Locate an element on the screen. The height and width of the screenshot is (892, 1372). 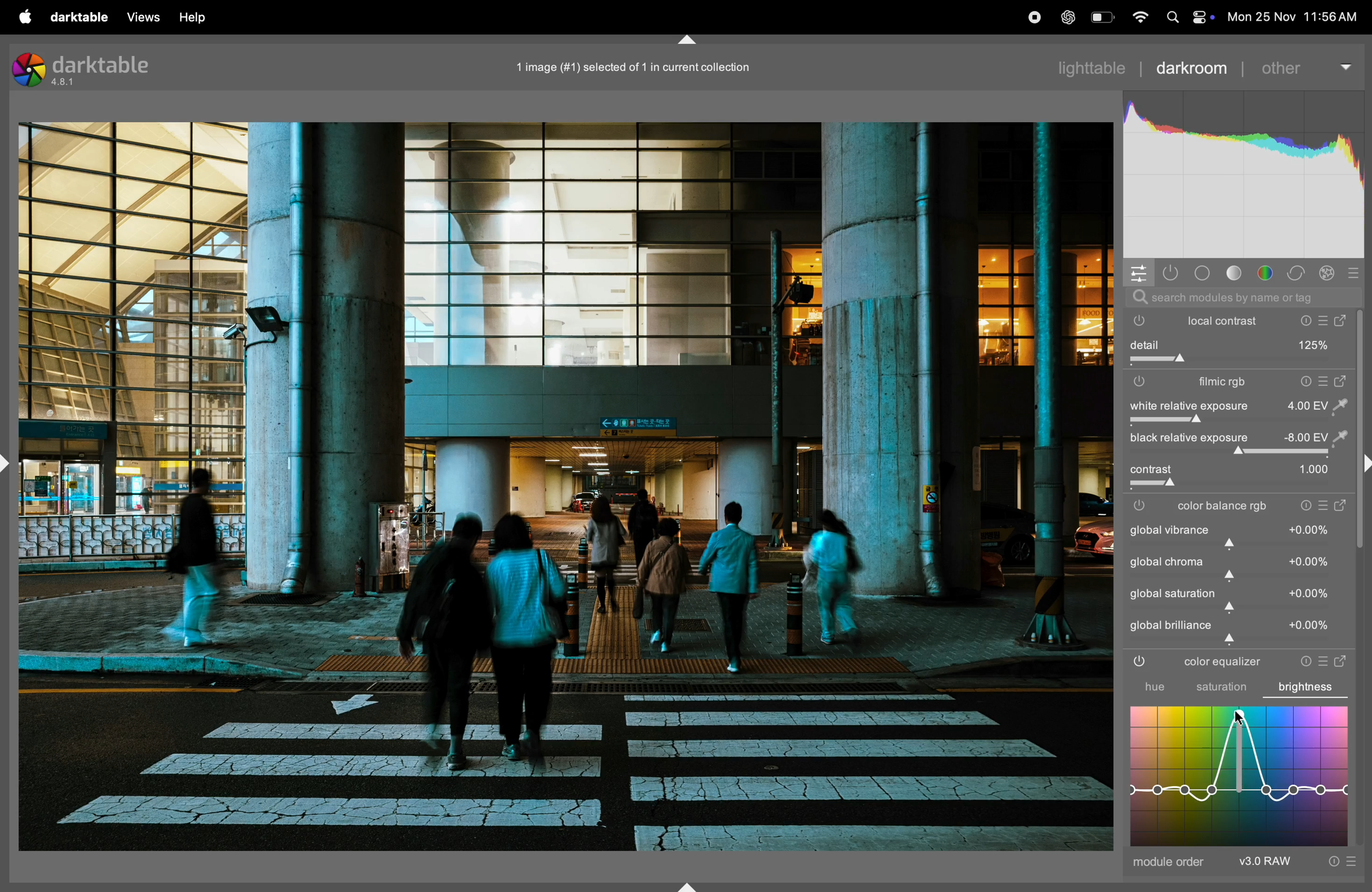
cursor is located at coordinates (1237, 720).